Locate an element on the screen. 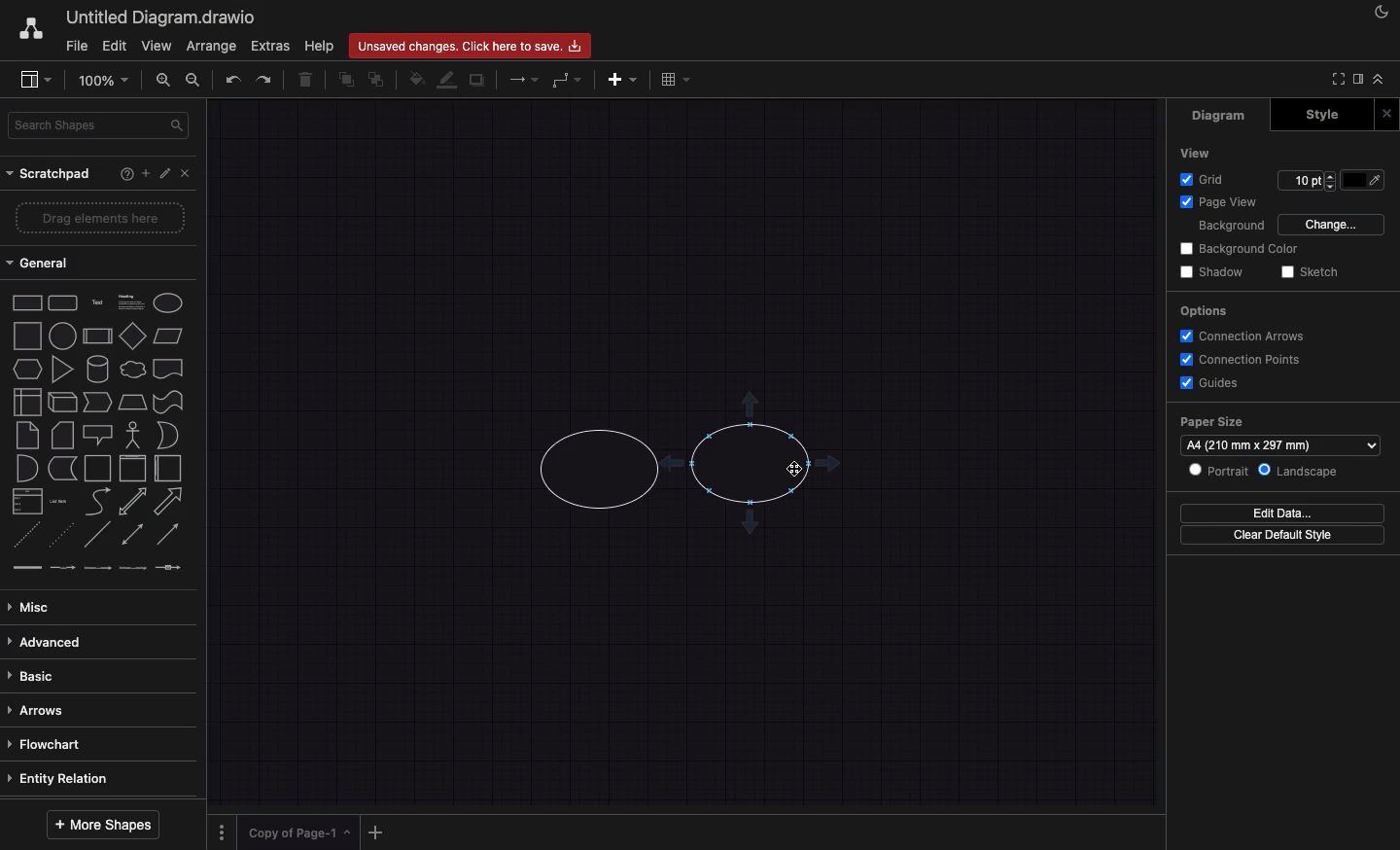  bidirectional arrow is located at coordinates (134, 502).